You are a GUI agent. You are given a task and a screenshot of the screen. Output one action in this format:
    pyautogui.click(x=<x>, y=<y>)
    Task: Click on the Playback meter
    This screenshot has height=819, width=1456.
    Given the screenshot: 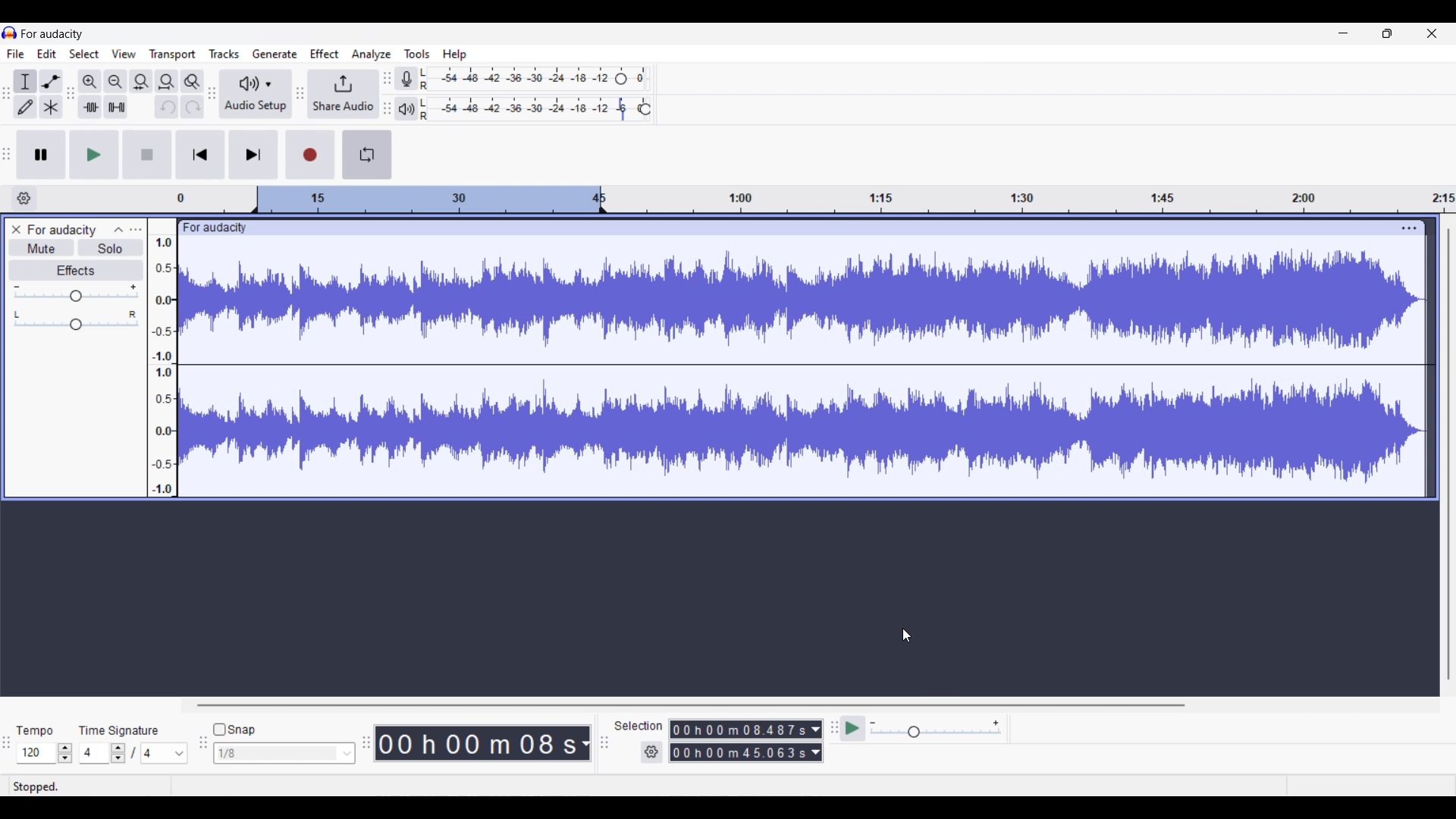 What is the action you would take?
    pyautogui.click(x=406, y=109)
    